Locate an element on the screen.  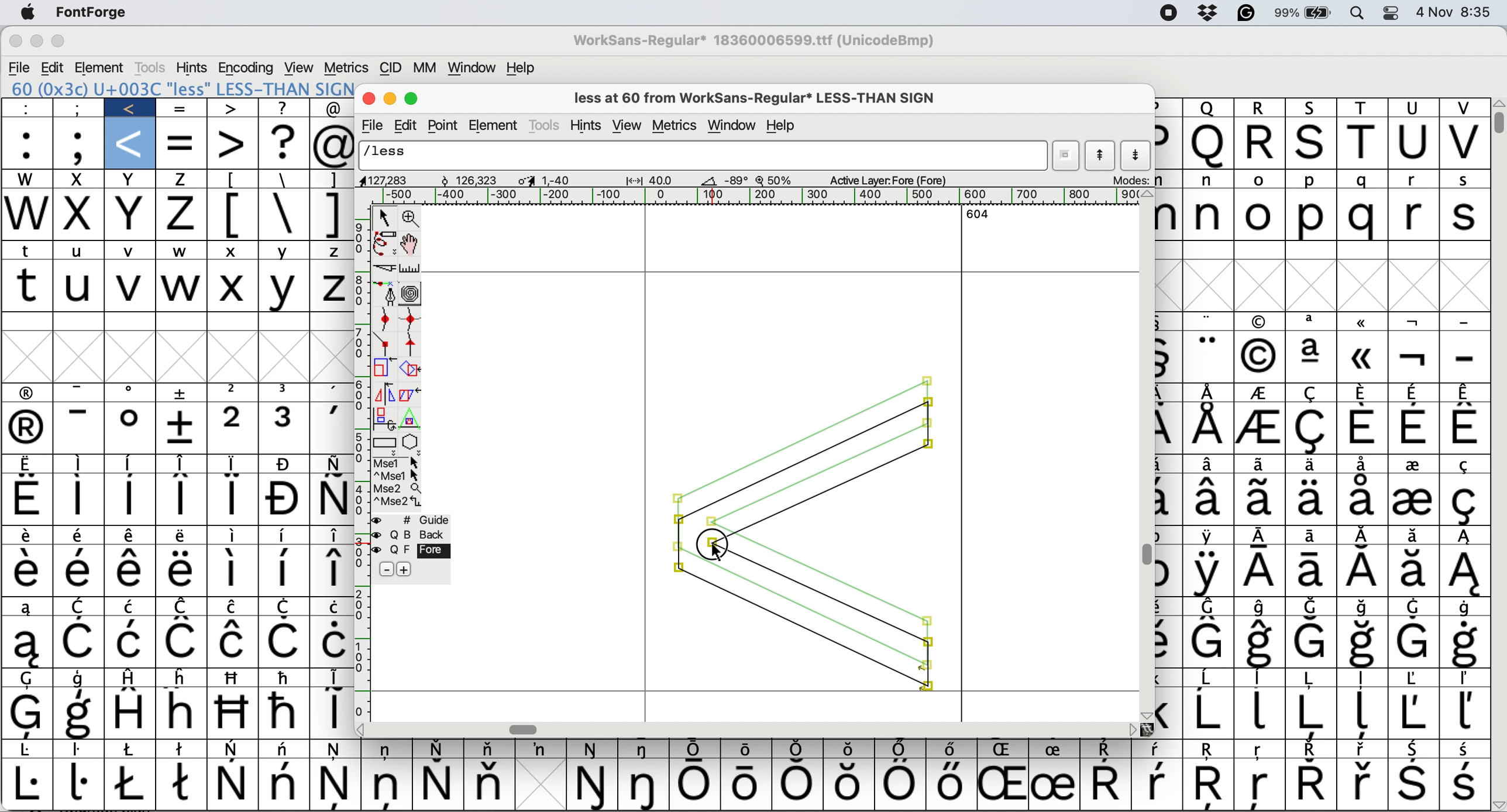
Symbol is located at coordinates (1364, 572).